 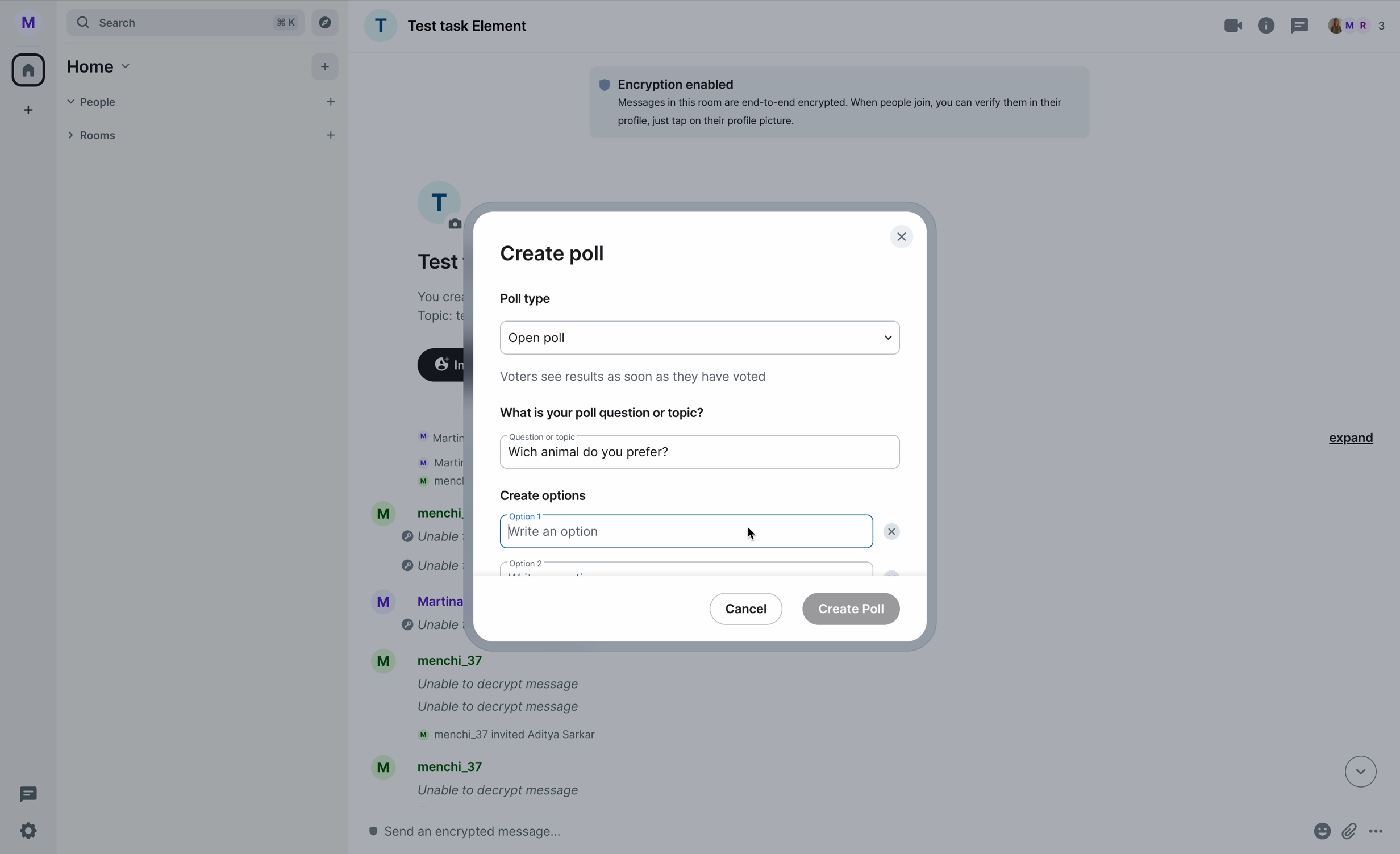 I want to click on create poll button, so click(x=852, y=608).